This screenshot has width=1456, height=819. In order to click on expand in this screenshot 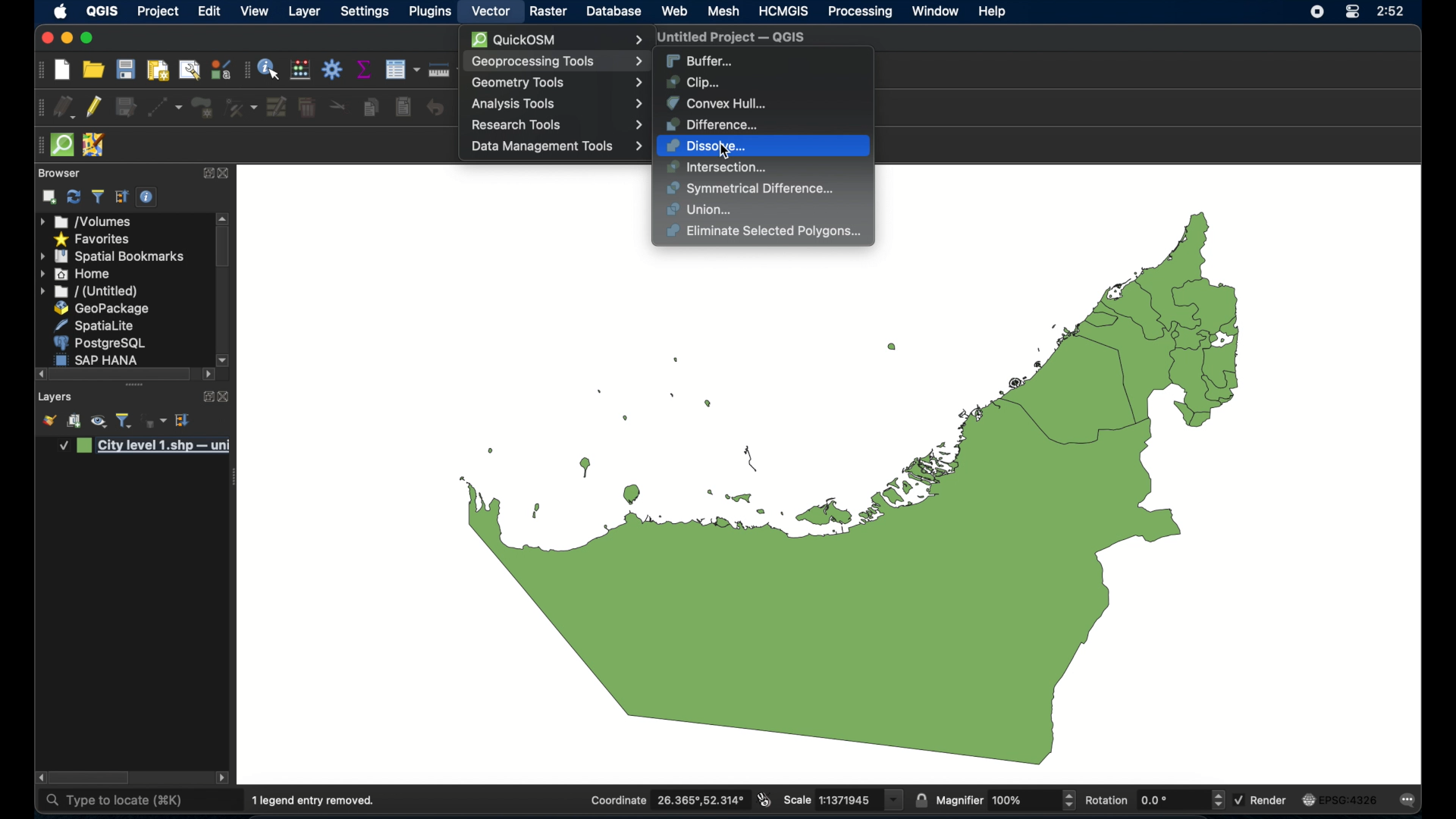, I will do `click(206, 171)`.